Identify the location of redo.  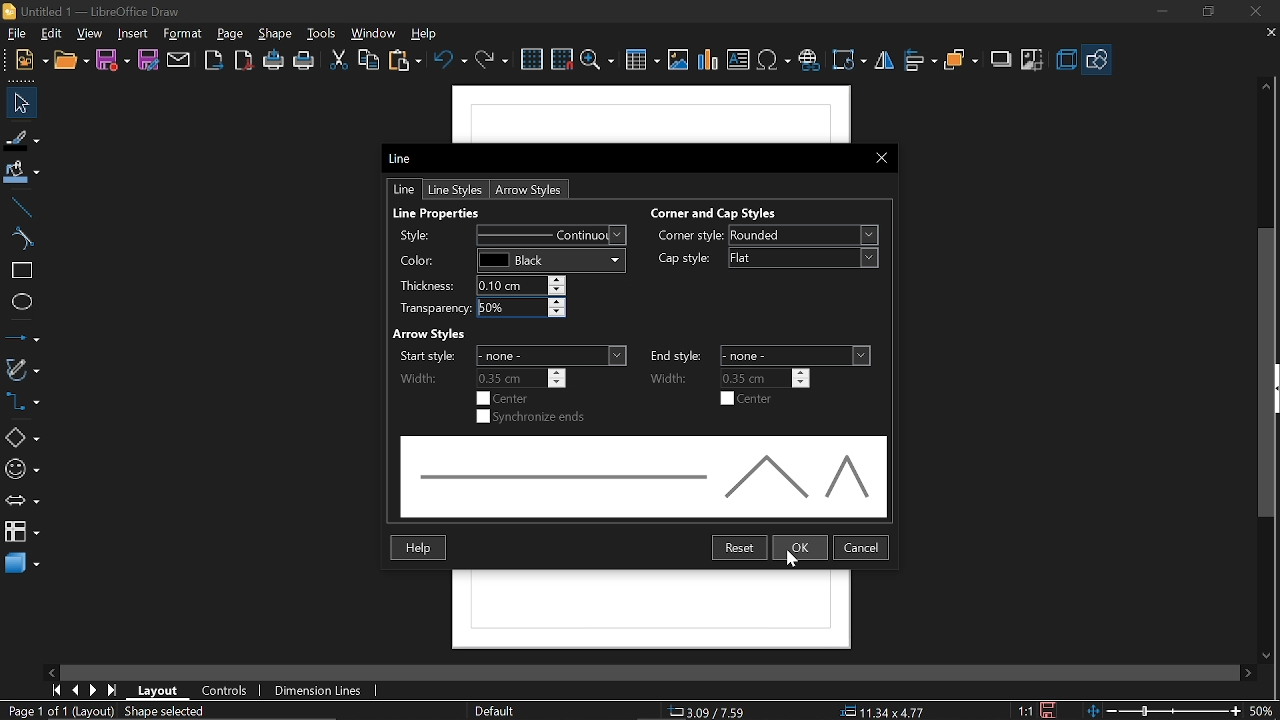
(491, 62).